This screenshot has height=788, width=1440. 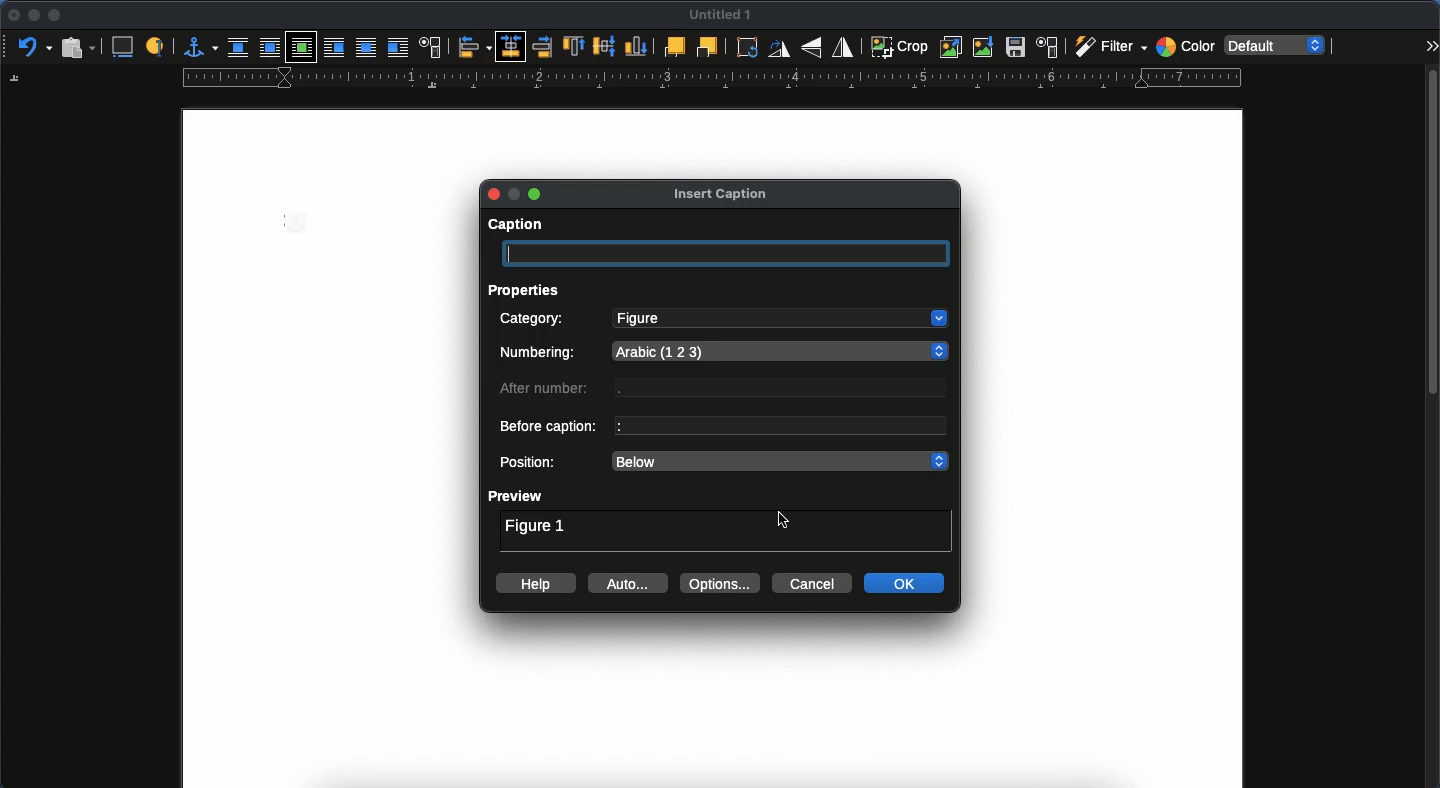 I want to click on before, so click(x=337, y=48).